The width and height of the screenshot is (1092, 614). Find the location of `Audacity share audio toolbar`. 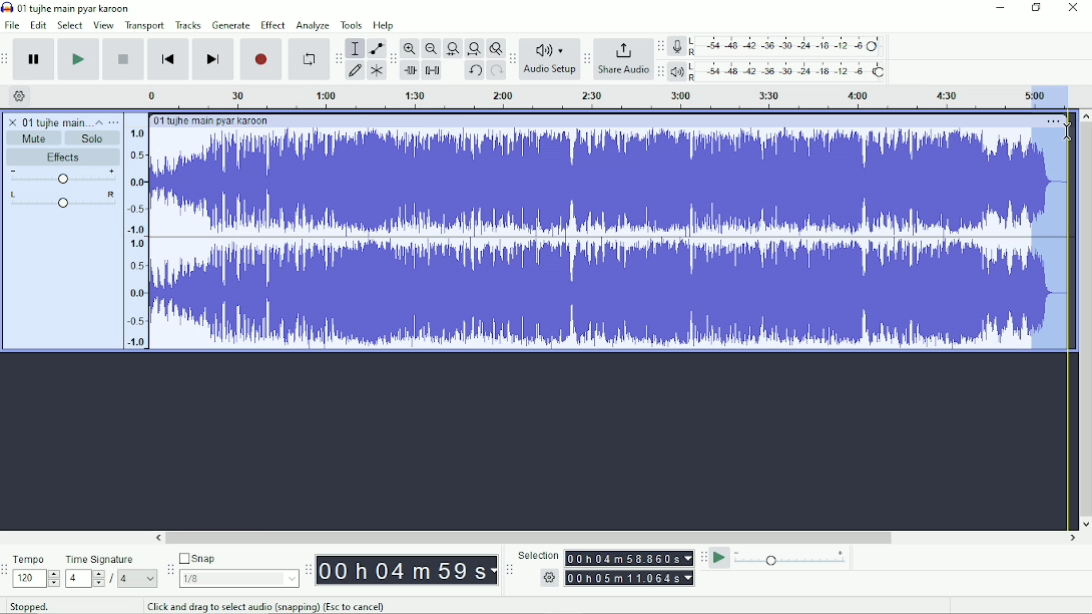

Audacity share audio toolbar is located at coordinates (588, 58).